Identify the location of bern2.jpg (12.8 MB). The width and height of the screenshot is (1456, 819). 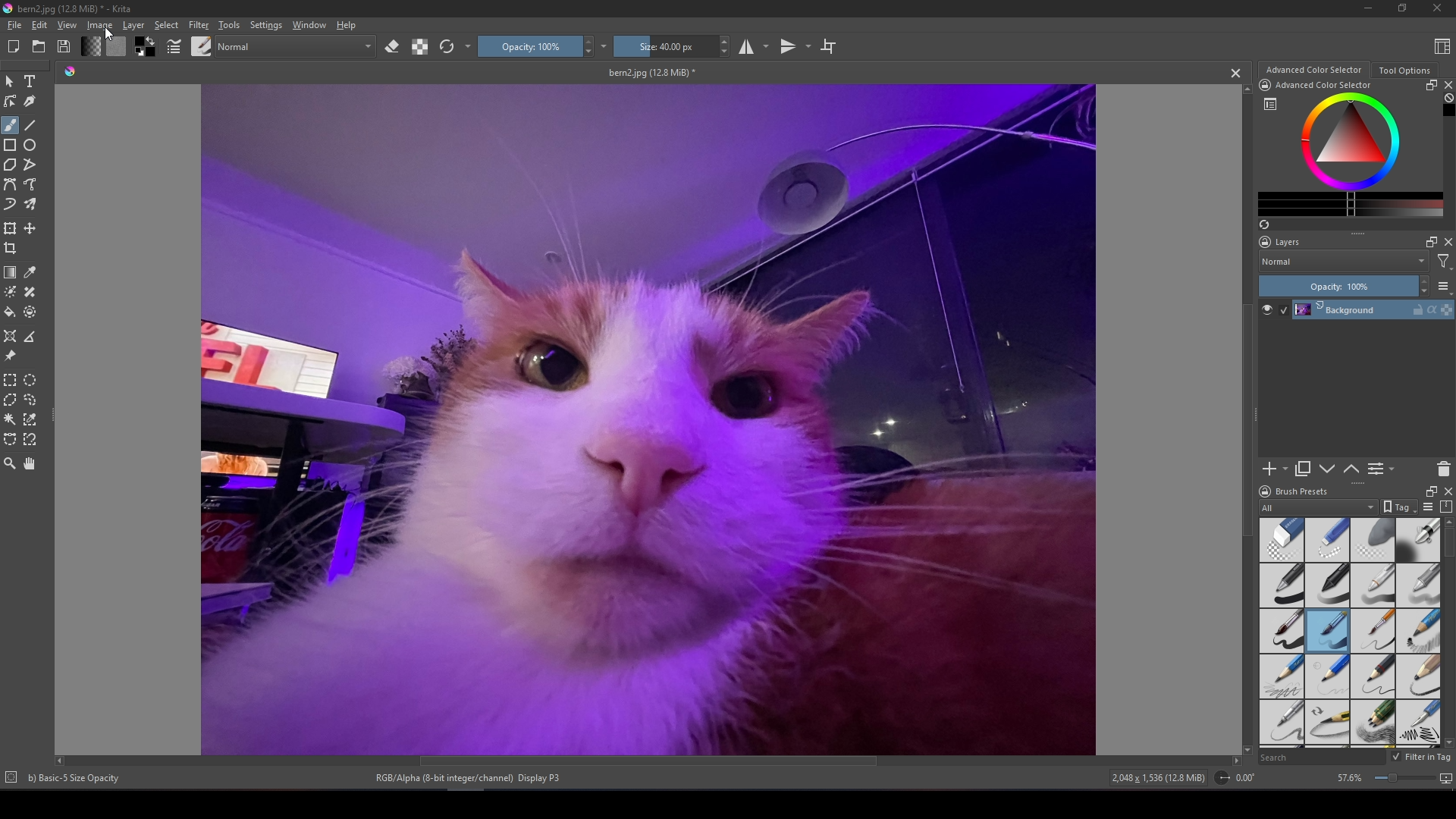
(651, 73).